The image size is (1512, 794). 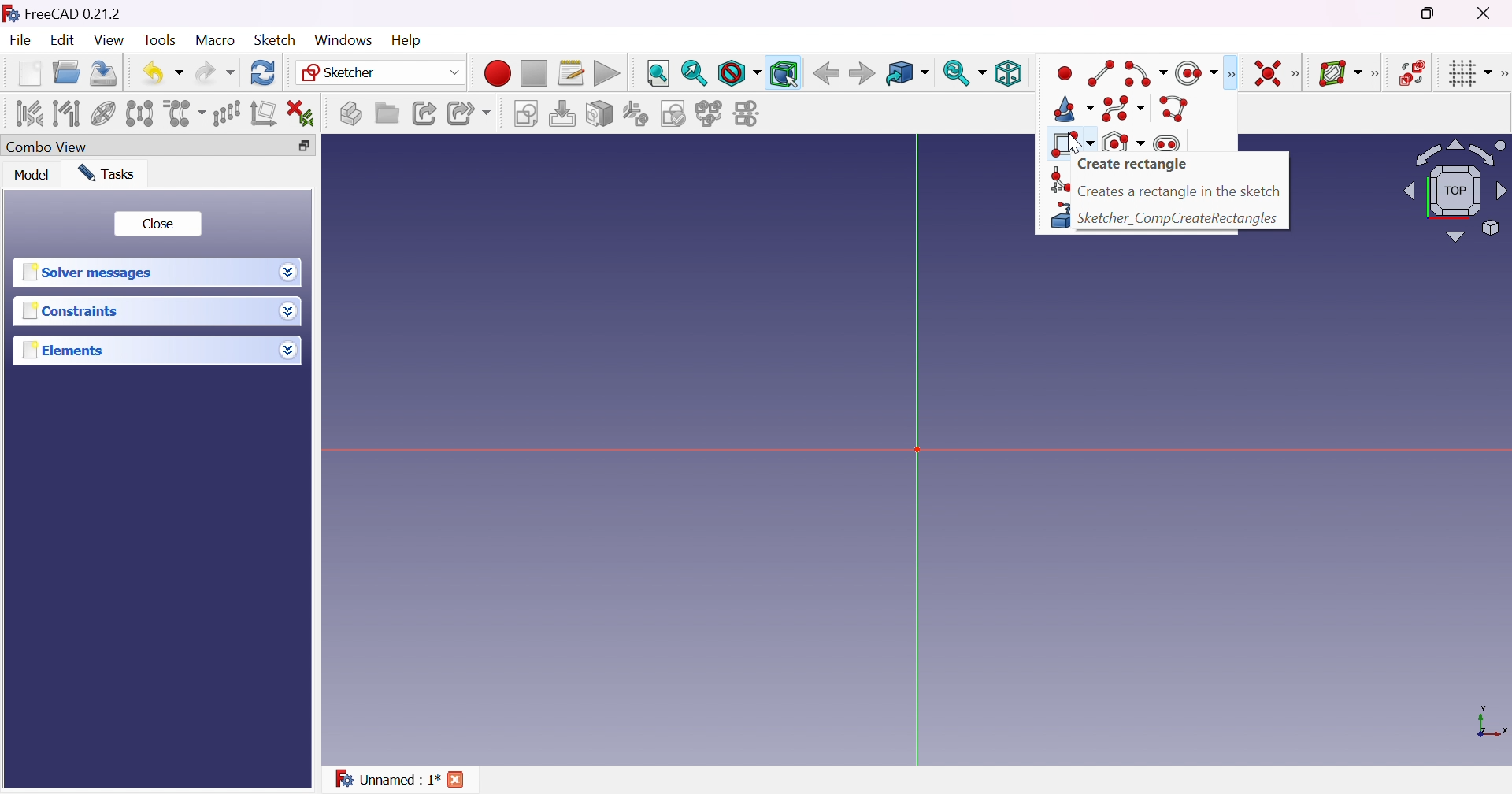 What do you see at coordinates (1374, 13) in the screenshot?
I see `Minimize` at bounding box center [1374, 13].